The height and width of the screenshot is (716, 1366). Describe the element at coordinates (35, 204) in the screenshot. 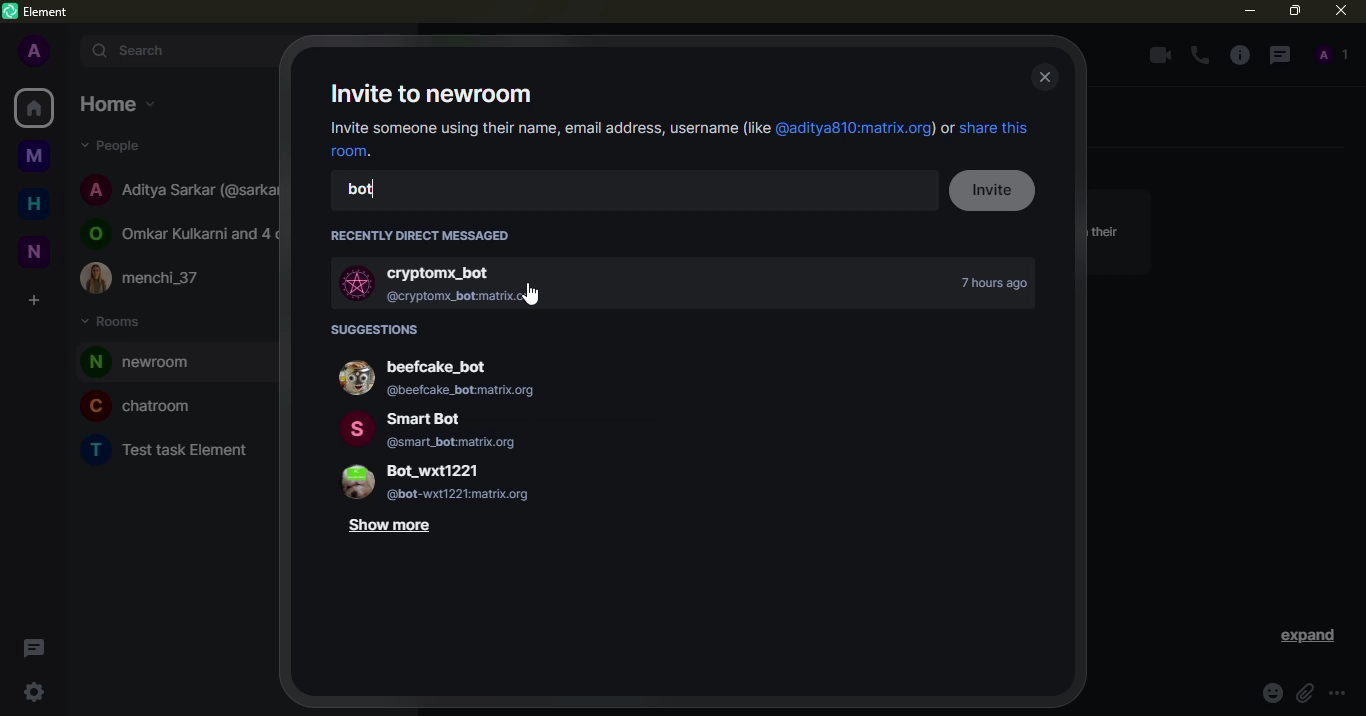

I see `home` at that location.